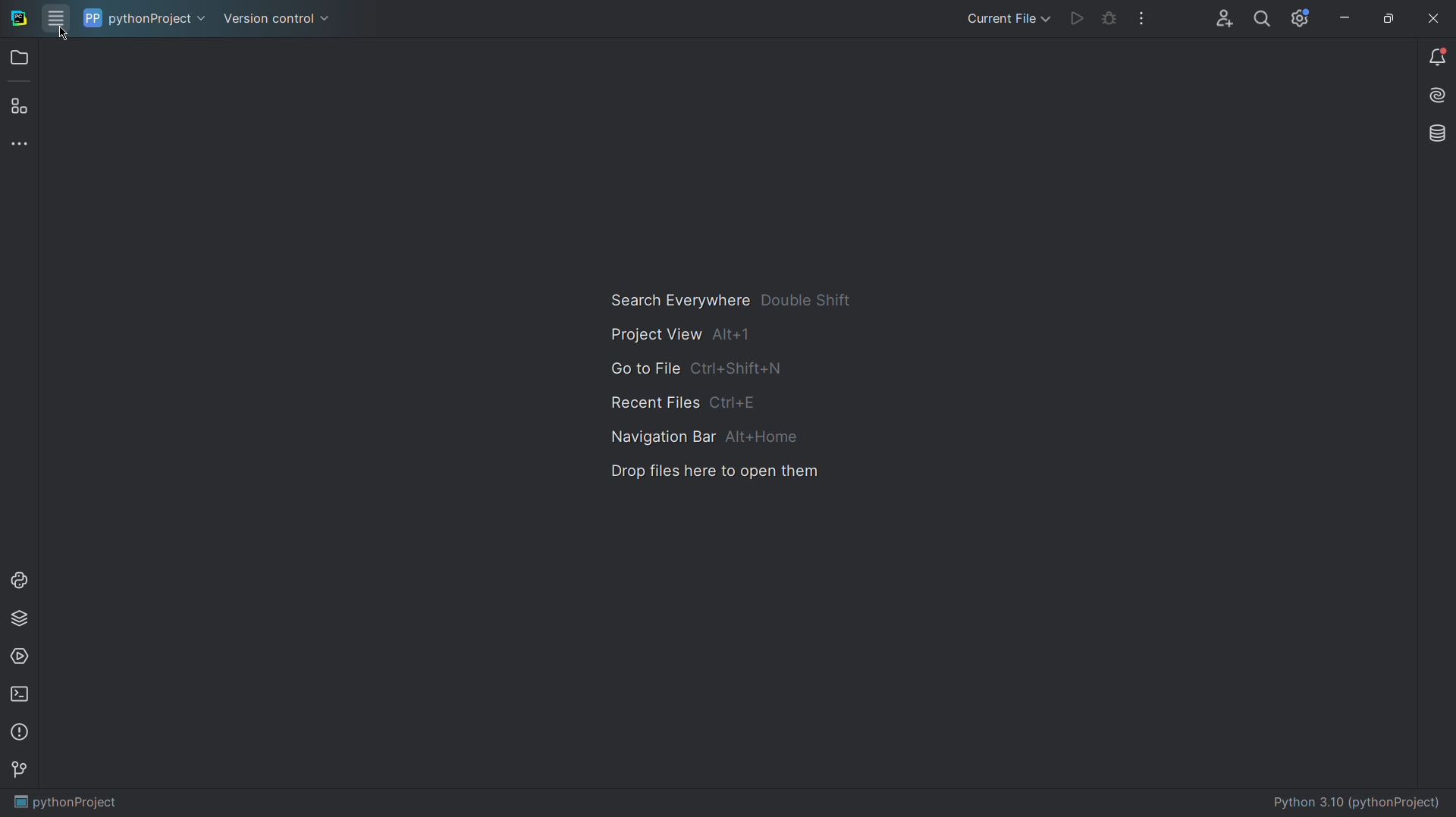  What do you see at coordinates (1262, 19) in the screenshot?
I see `Profile` at bounding box center [1262, 19].